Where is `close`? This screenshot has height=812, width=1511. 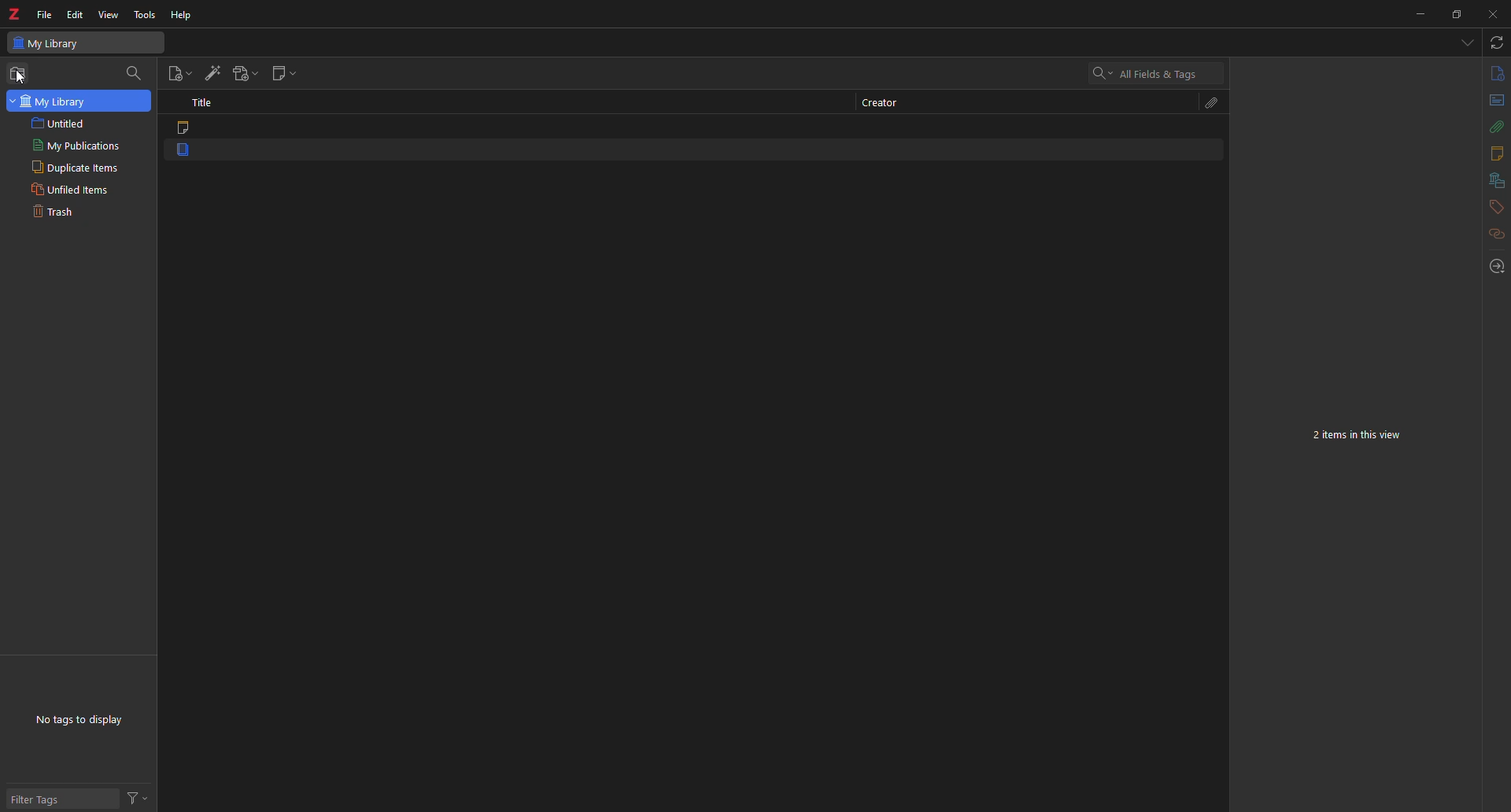
close is located at coordinates (1495, 12).